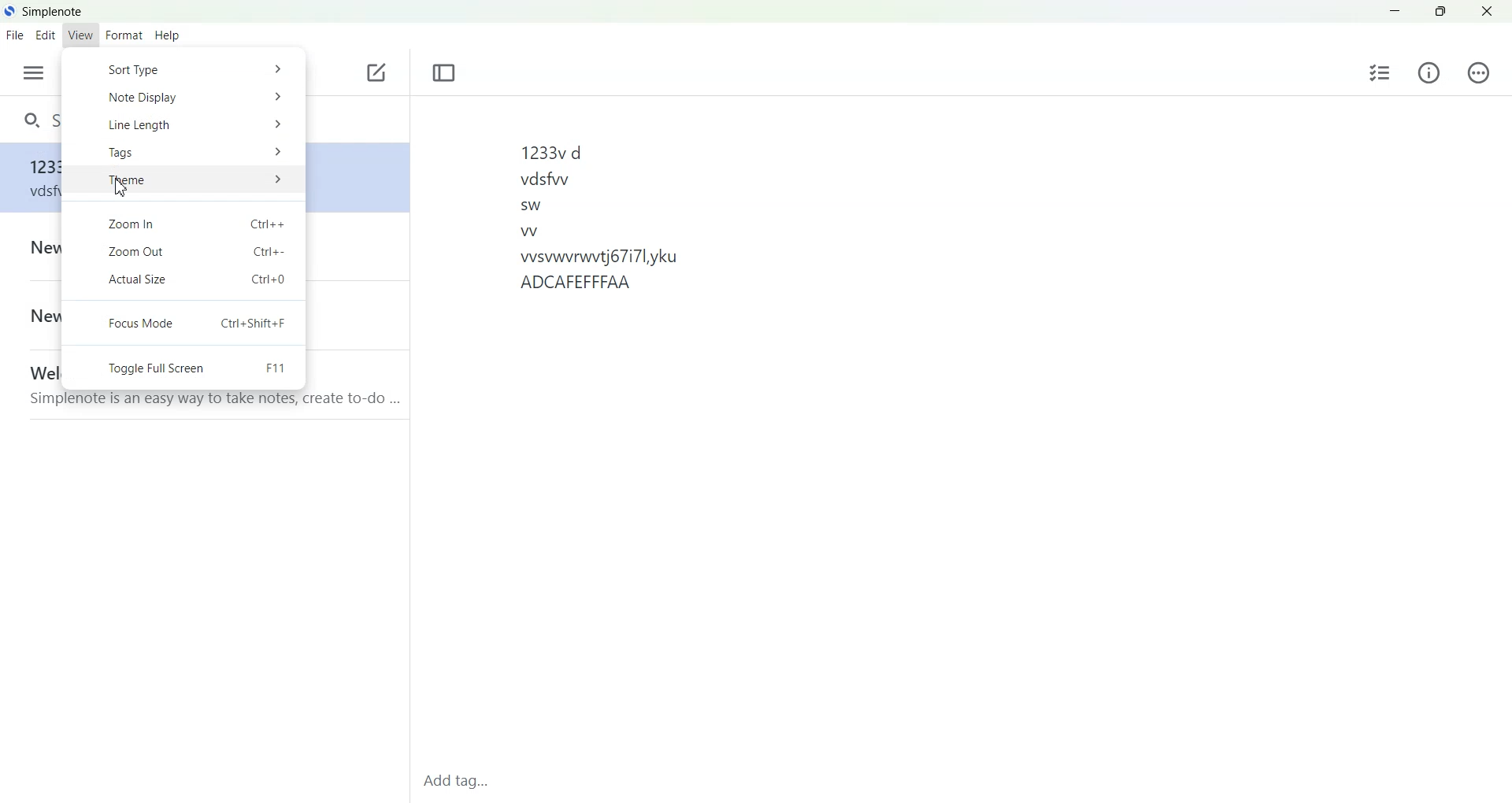 The height and width of the screenshot is (803, 1512). I want to click on Add Tag, so click(464, 781).